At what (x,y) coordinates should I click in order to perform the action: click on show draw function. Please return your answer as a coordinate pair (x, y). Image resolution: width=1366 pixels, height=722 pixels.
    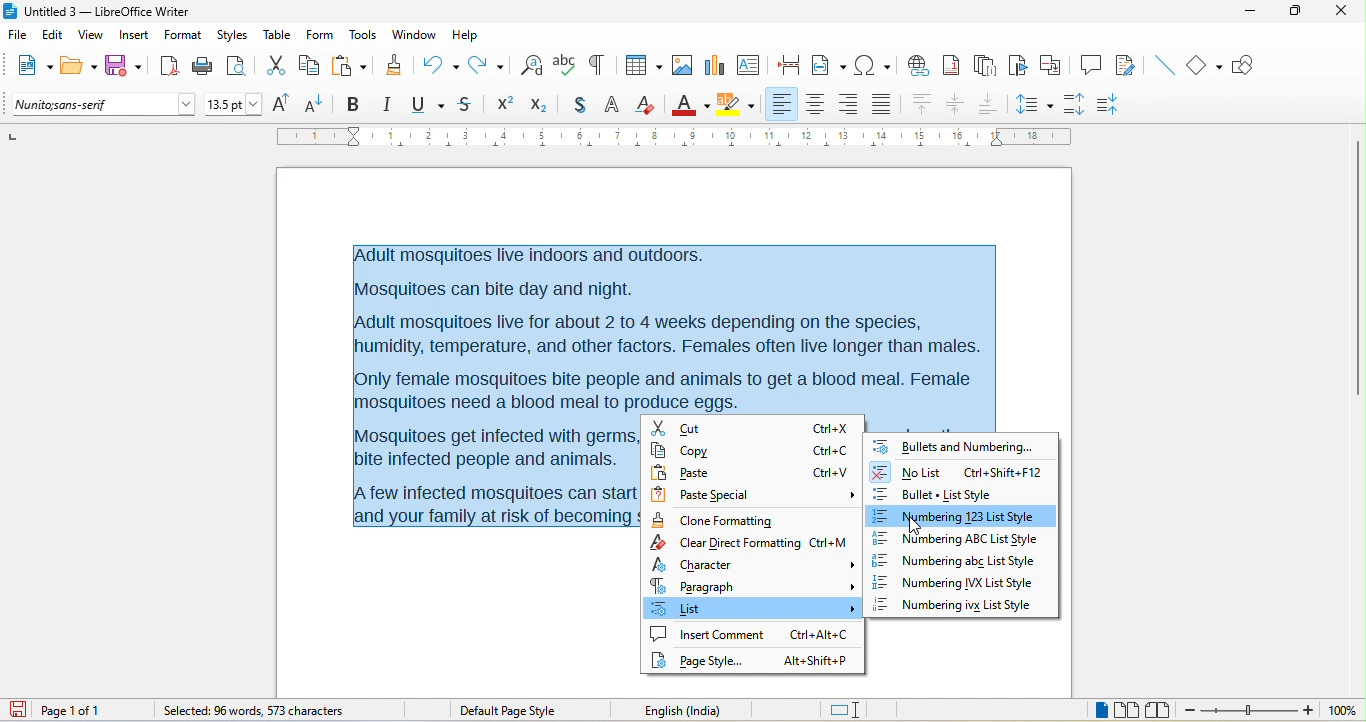
    Looking at the image, I should click on (1252, 69).